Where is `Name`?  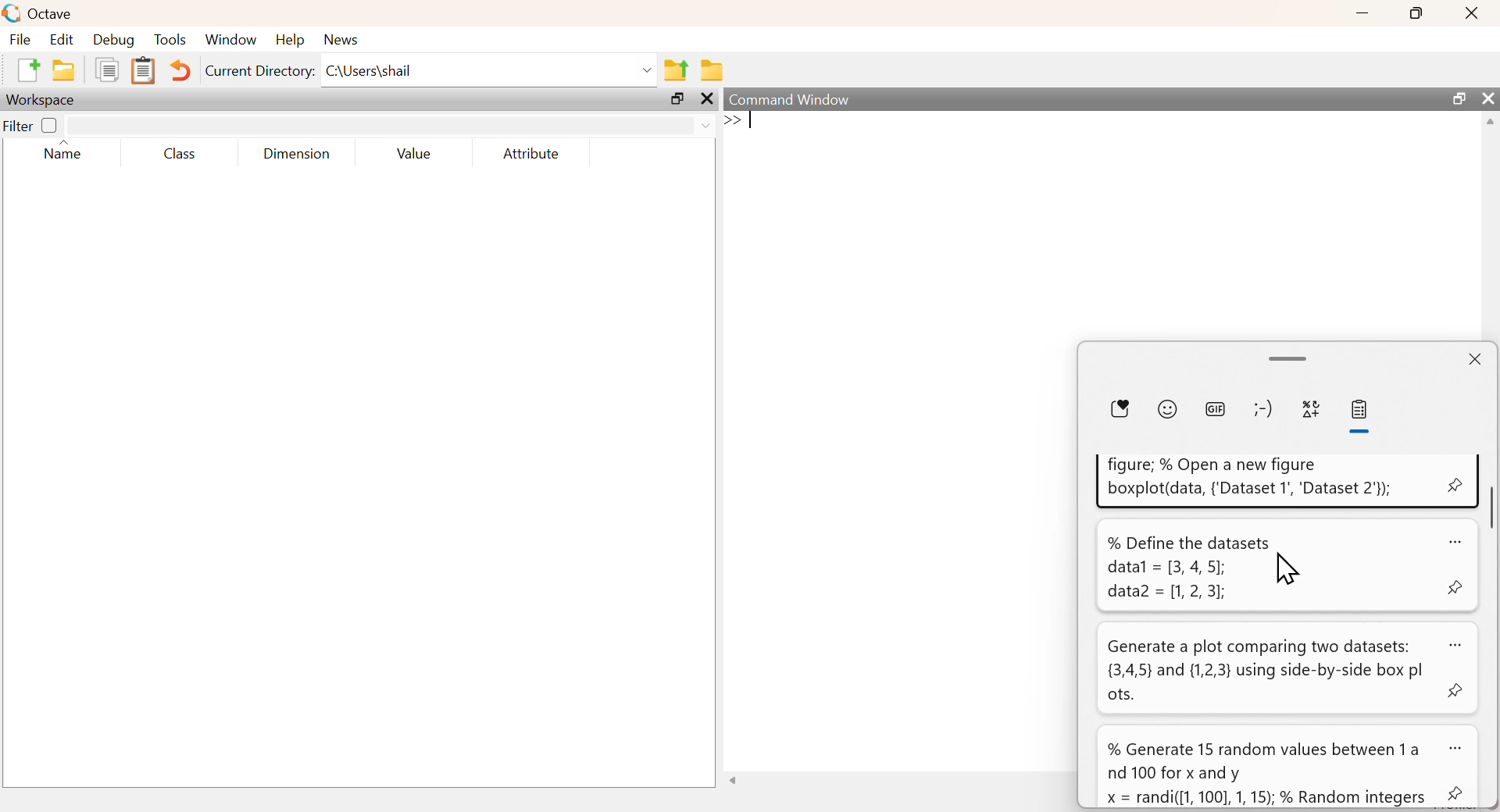
Name is located at coordinates (64, 152).